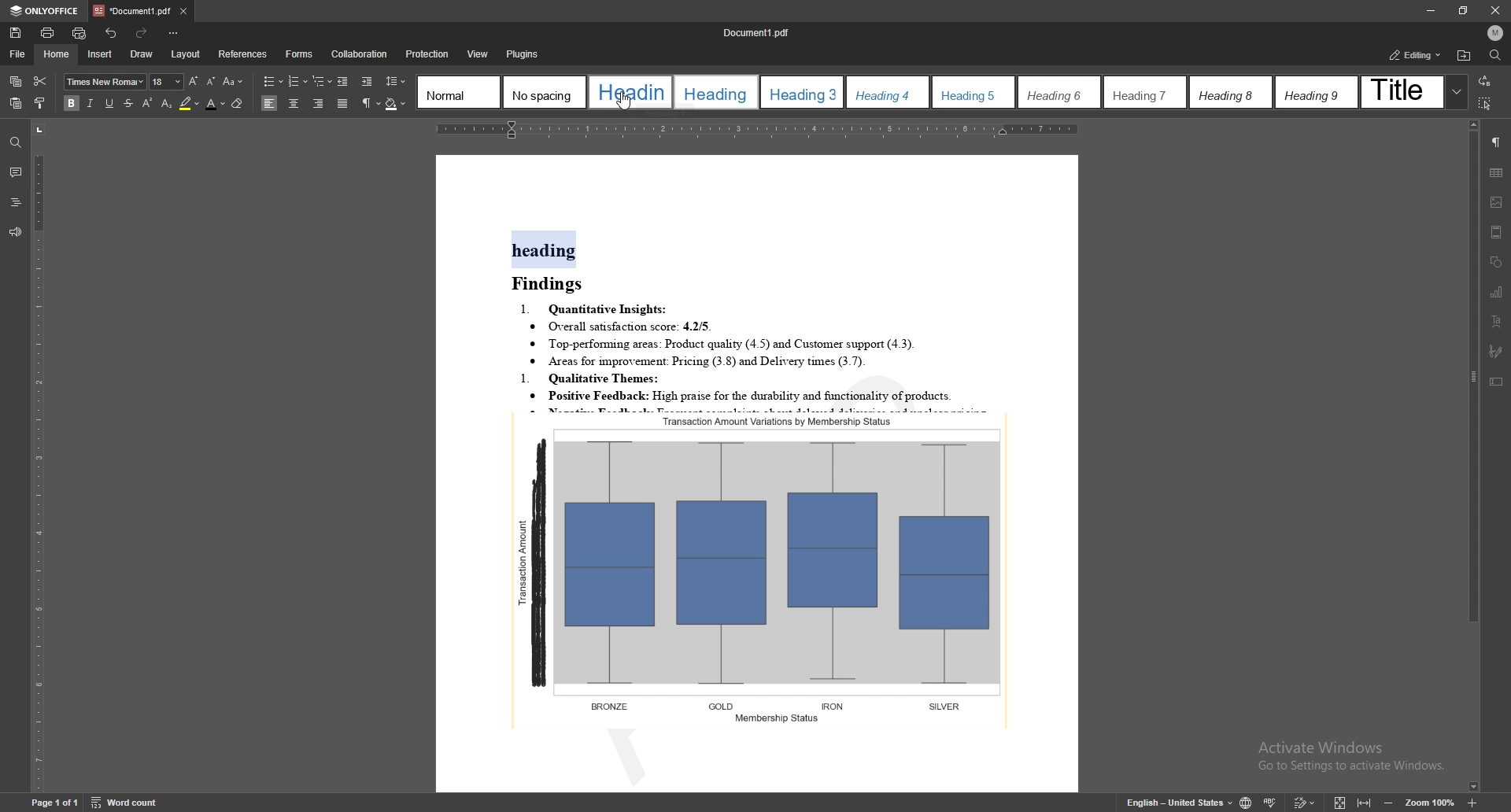 The image size is (1511, 812). Describe the element at coordinates (598, 378) in the screenshot. I see `1. Qualitative Themes:` at that location.